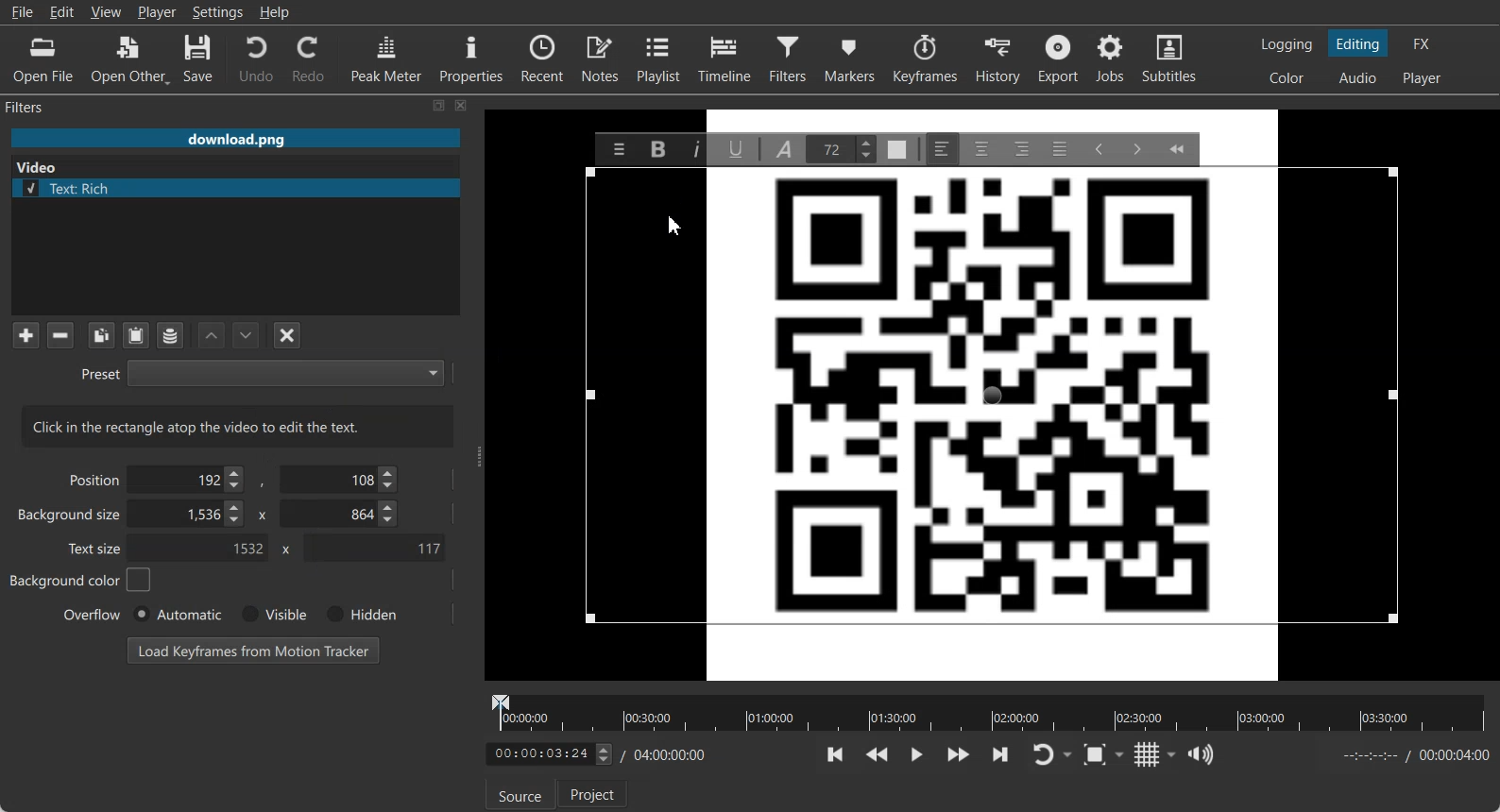 The height and width of the screenshot is (812, 1500). I want to click on Underline, so click(737, 148).